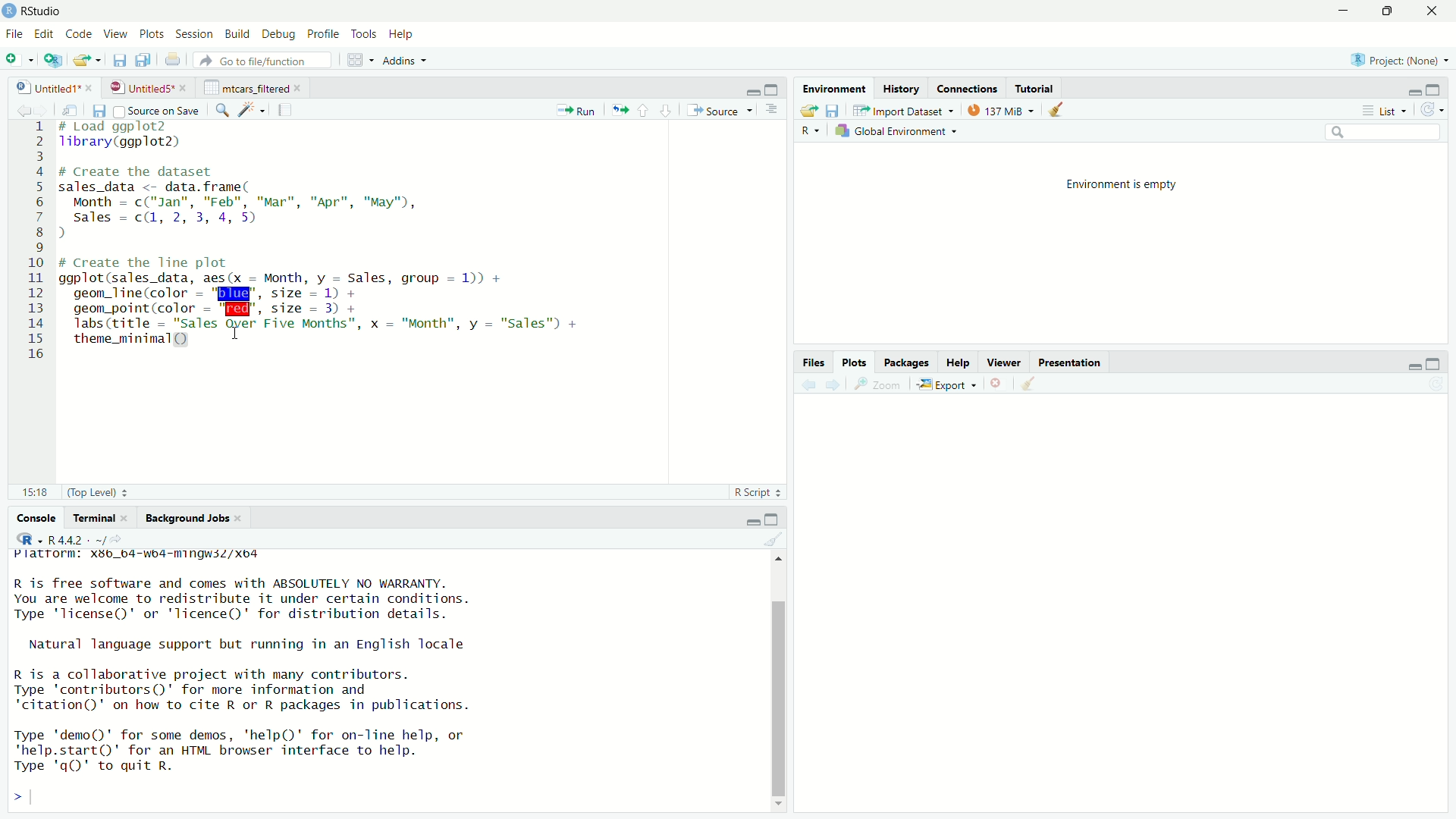  I want to click on Zoom, so click(882, 384).